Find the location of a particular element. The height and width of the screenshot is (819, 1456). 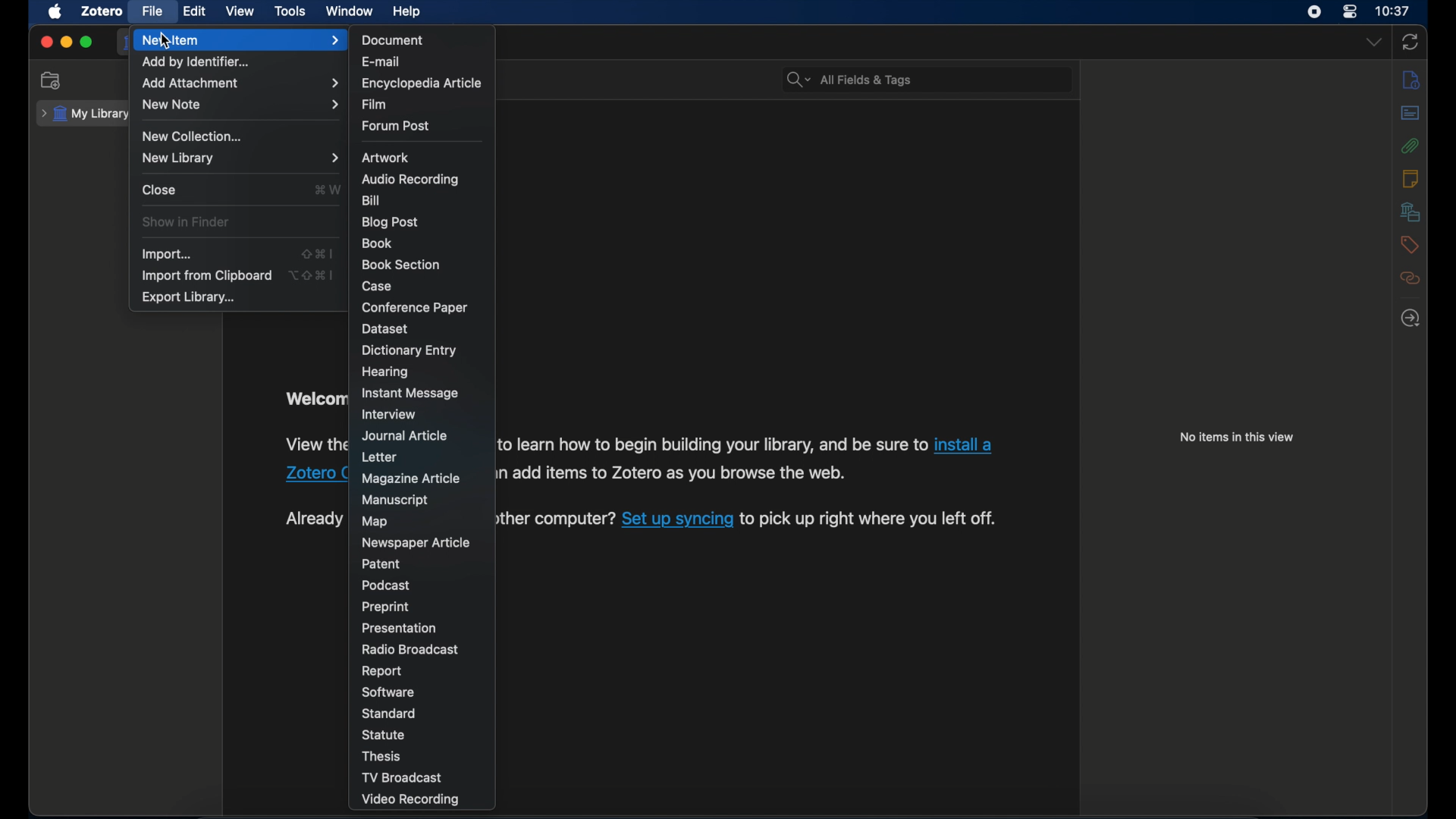

minimize is located at coordinates (65, 43).